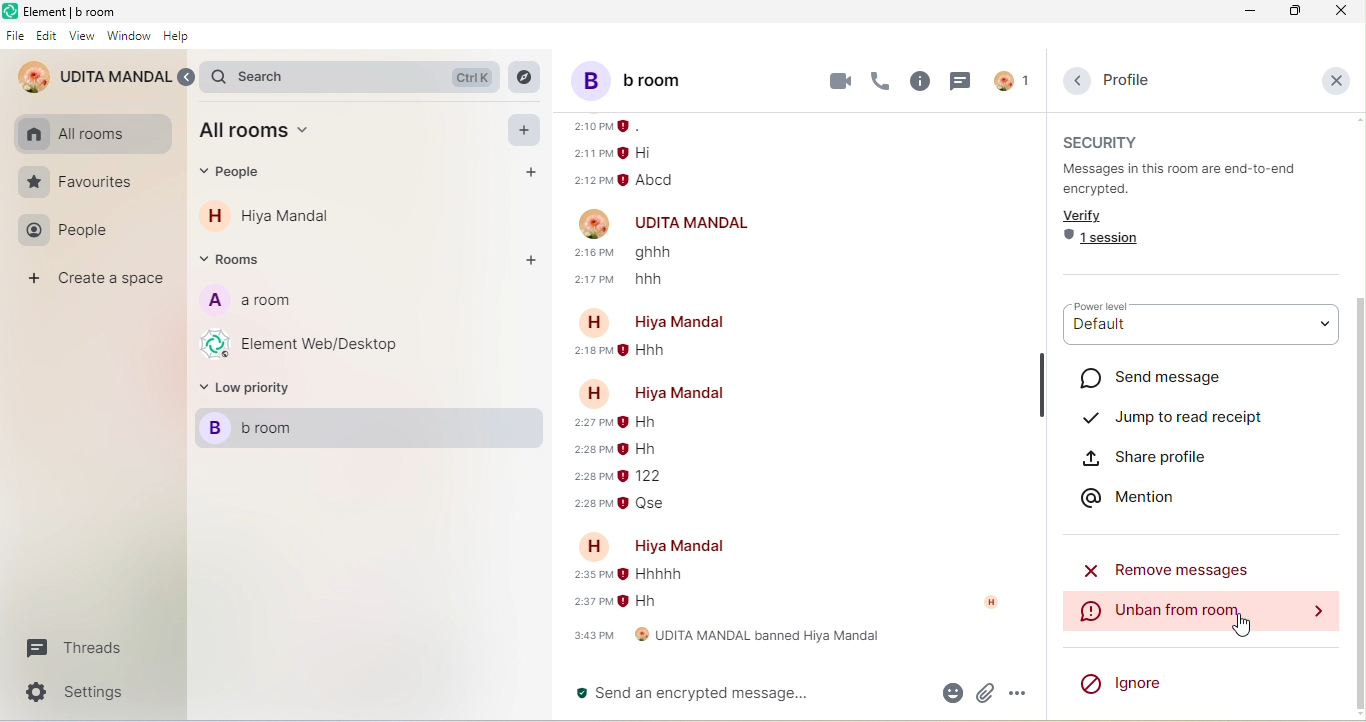 This screenshot has width=1366, height=722. Describe the element at coordinates (663, 545) in the screenshot. I see `account name-hiya mandal` at that location.